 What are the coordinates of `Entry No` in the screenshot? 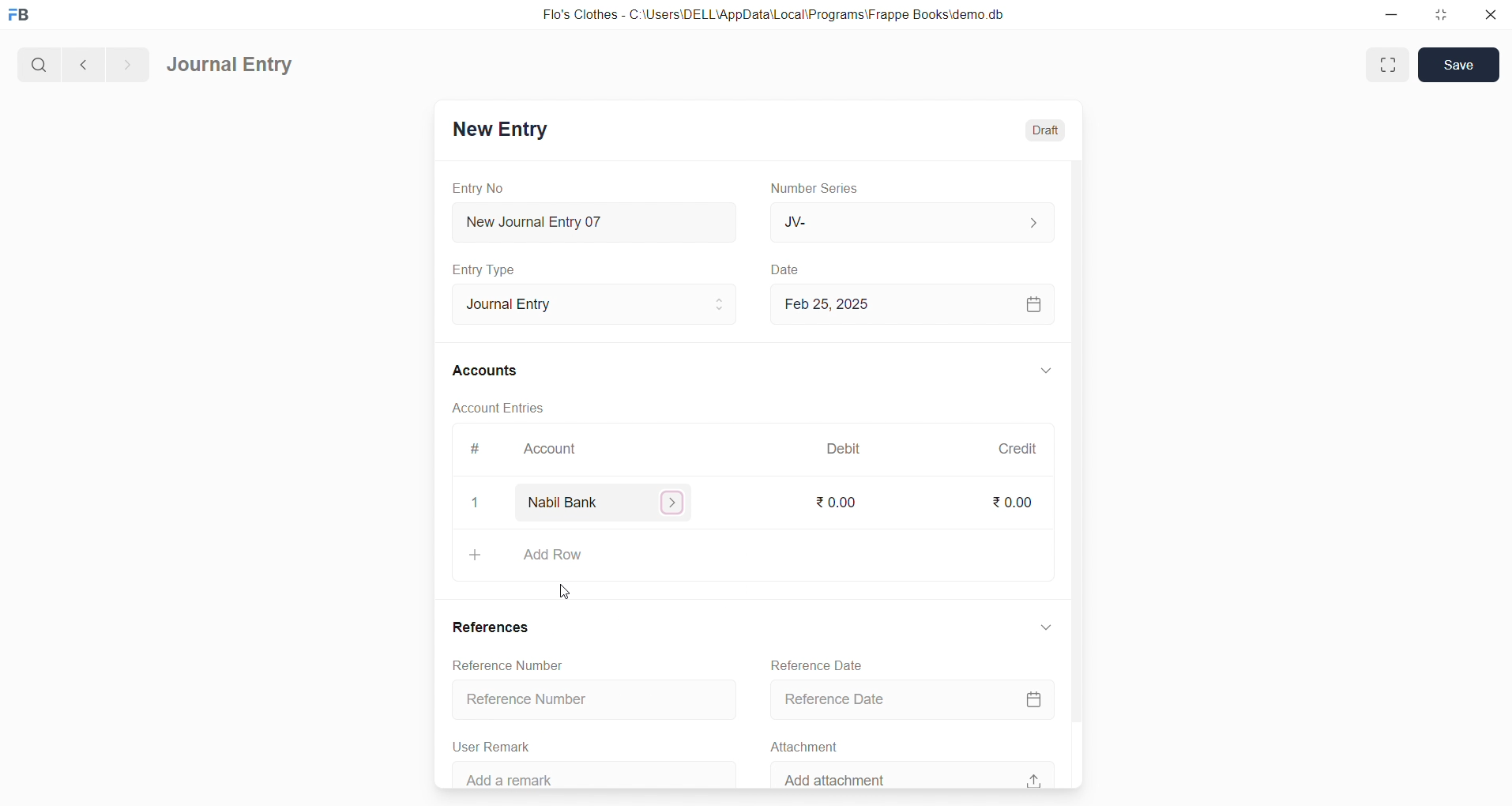 It's located at (479, 187).